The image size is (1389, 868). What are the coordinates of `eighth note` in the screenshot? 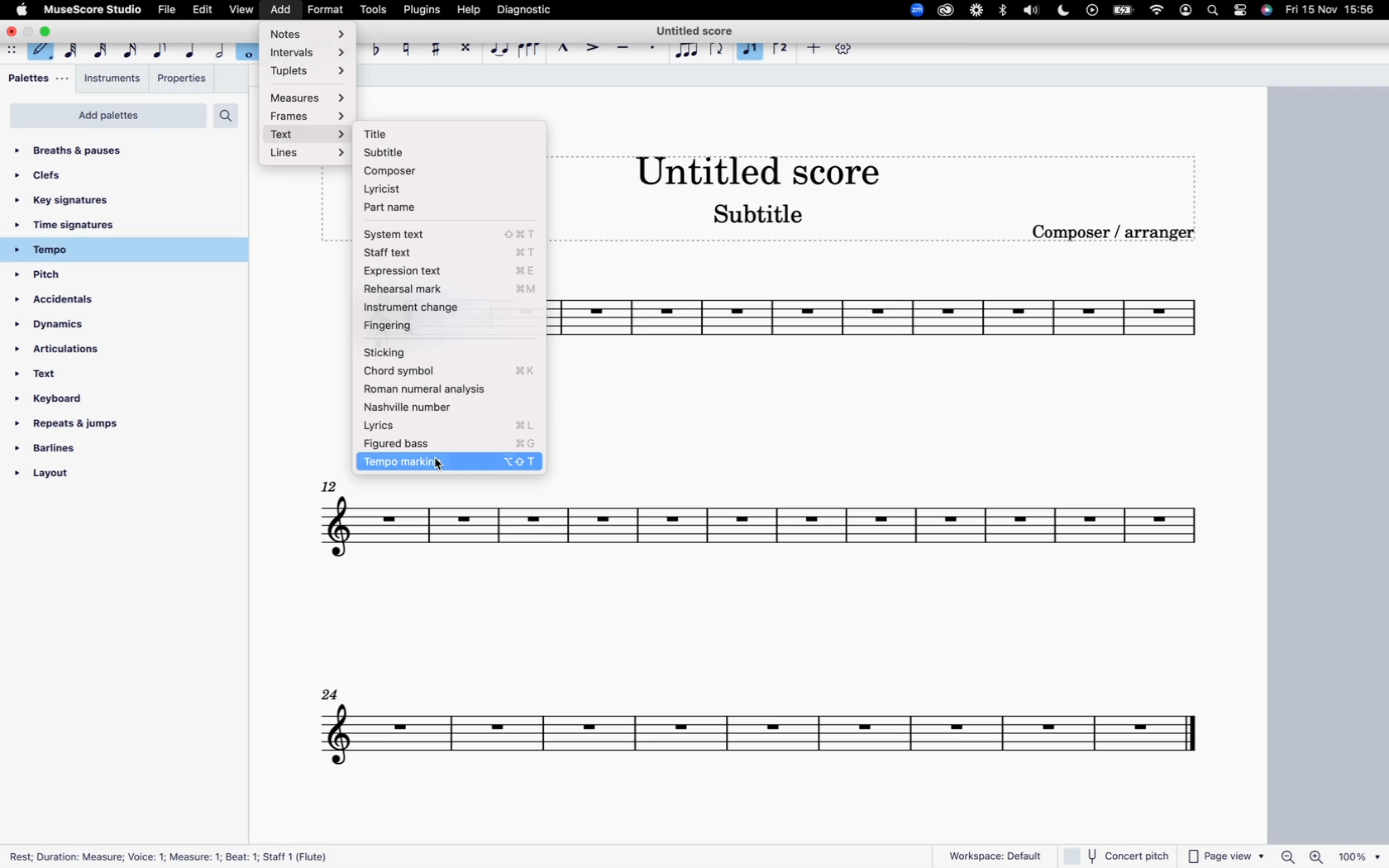 It's located at (162, 51).